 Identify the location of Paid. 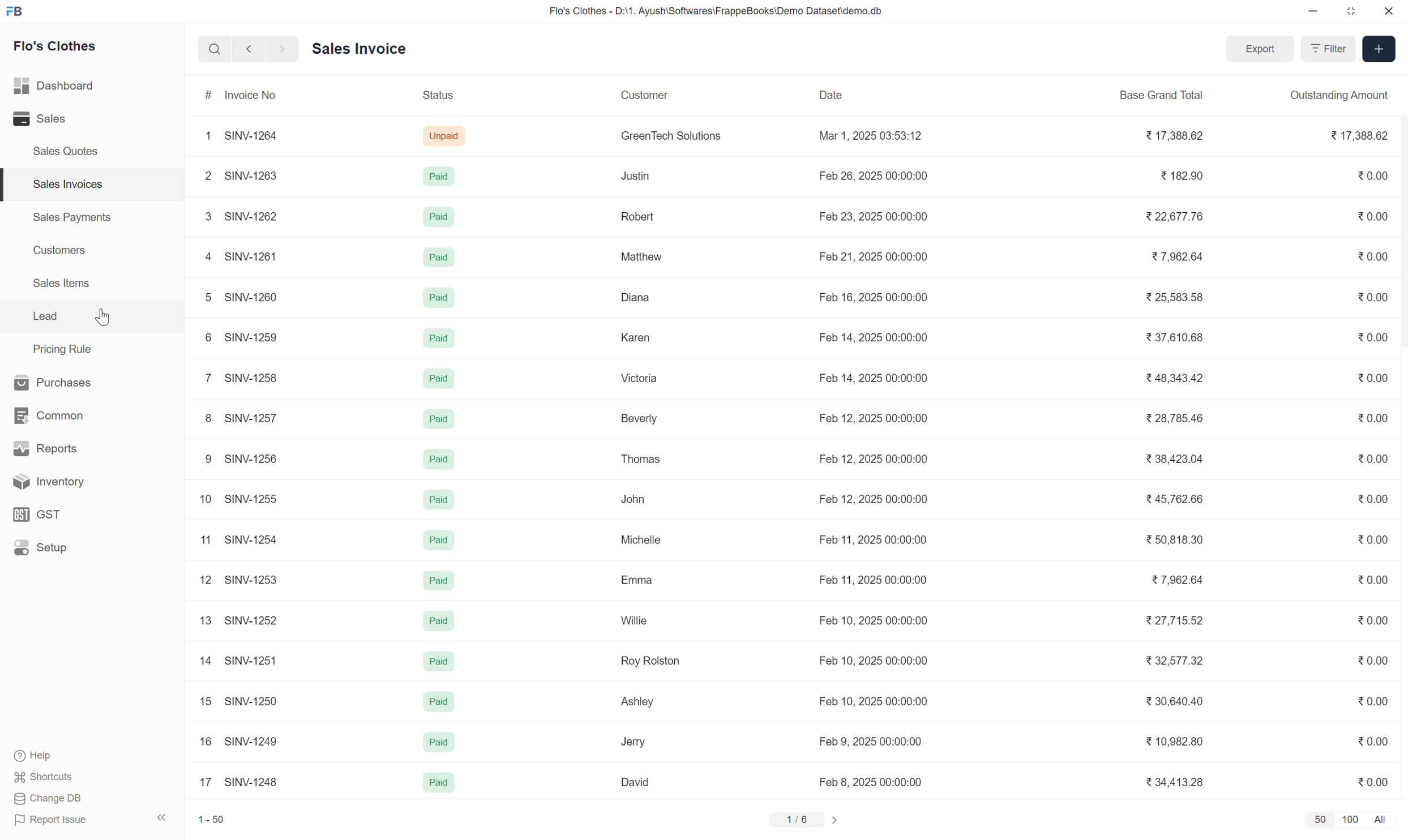
(442, 661).